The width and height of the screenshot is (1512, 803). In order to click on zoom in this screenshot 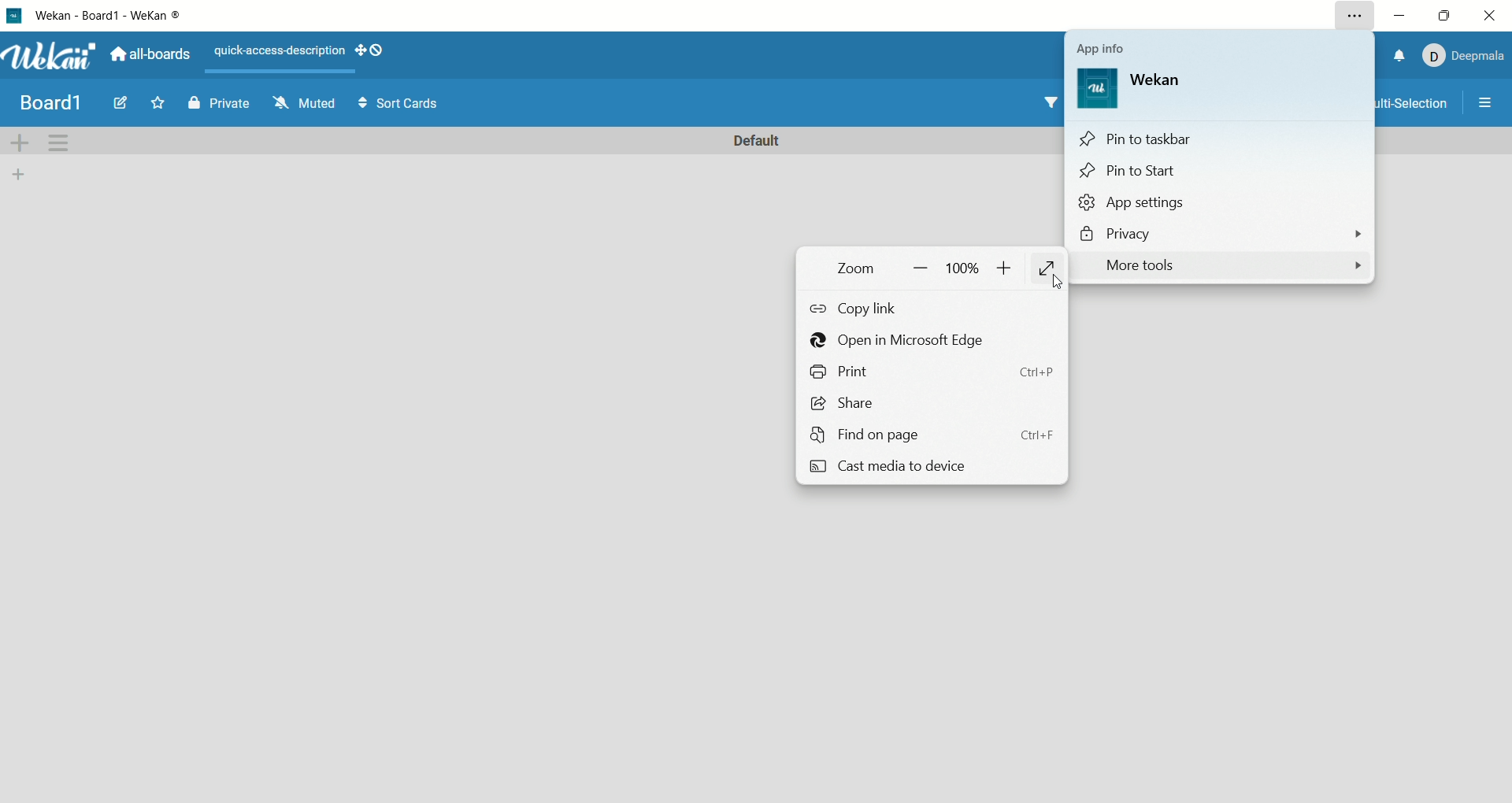, I will do `click(920, 268)`.